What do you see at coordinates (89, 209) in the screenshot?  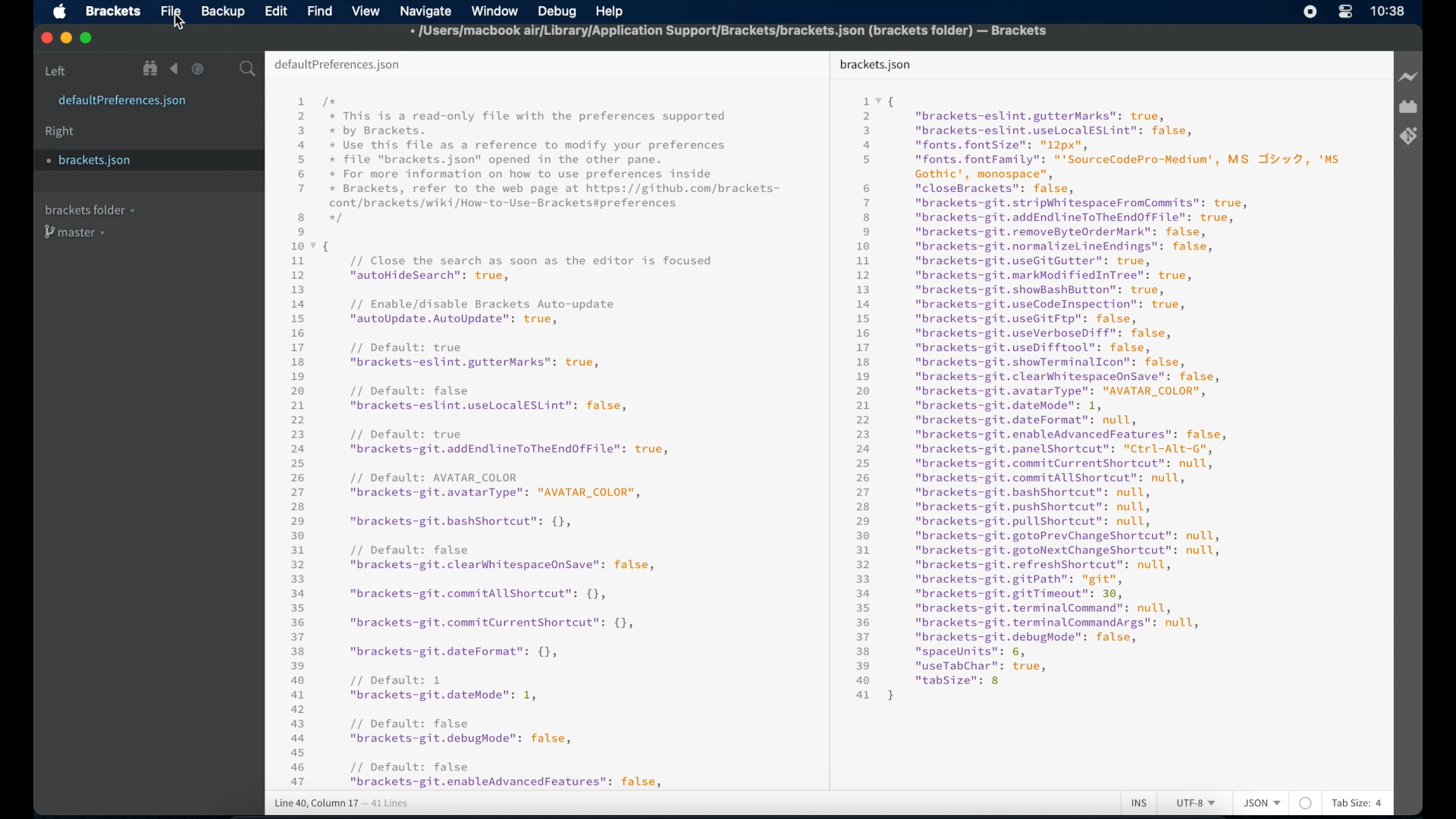 I see `brackets folder` at bounding box center [89, 209].